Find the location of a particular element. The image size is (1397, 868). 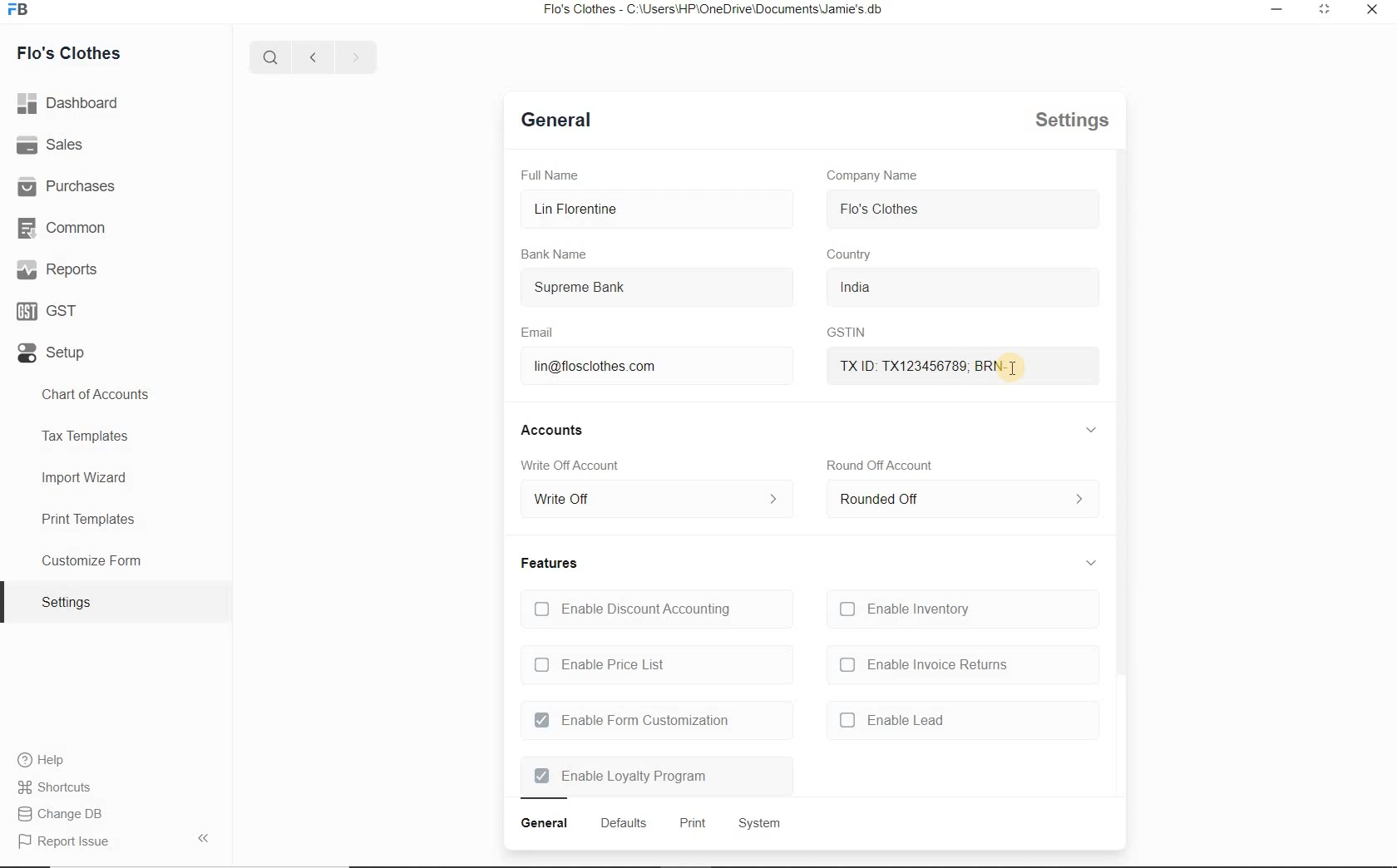

Help is located at coordinates (47, 760).